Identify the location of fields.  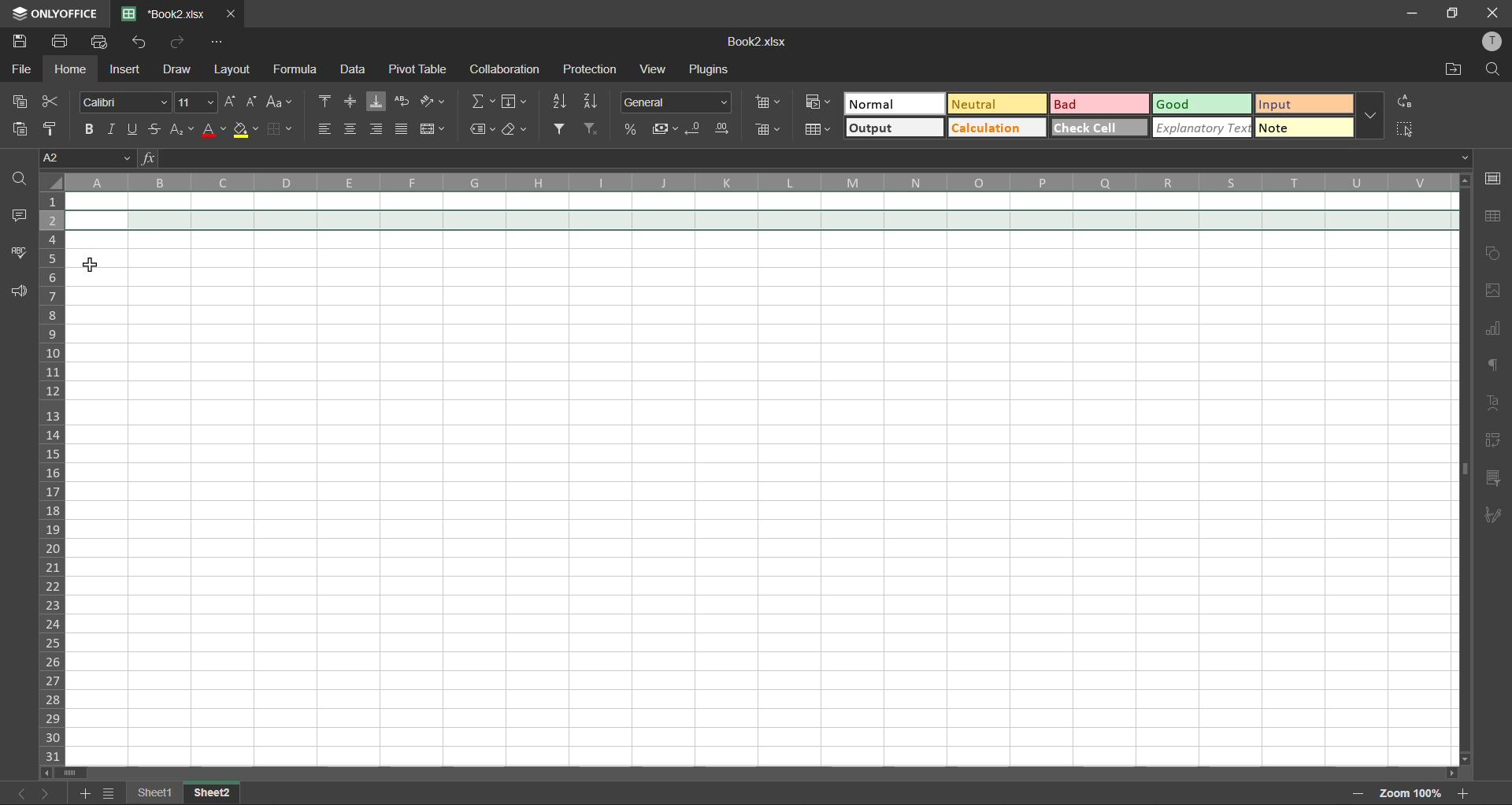
(521, 104).